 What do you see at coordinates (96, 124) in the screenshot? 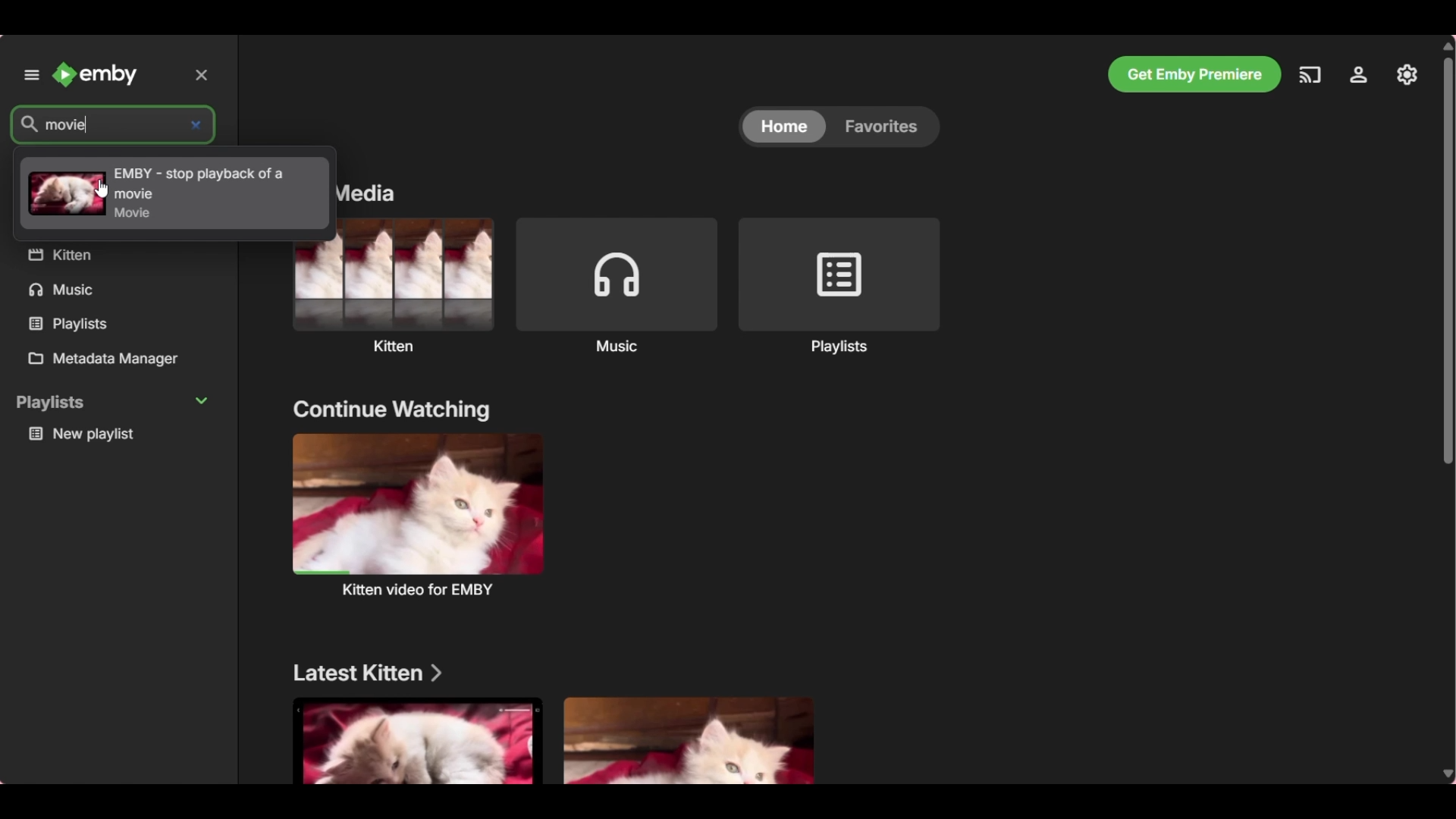
I see `movie` at bounding box center [96, 124].